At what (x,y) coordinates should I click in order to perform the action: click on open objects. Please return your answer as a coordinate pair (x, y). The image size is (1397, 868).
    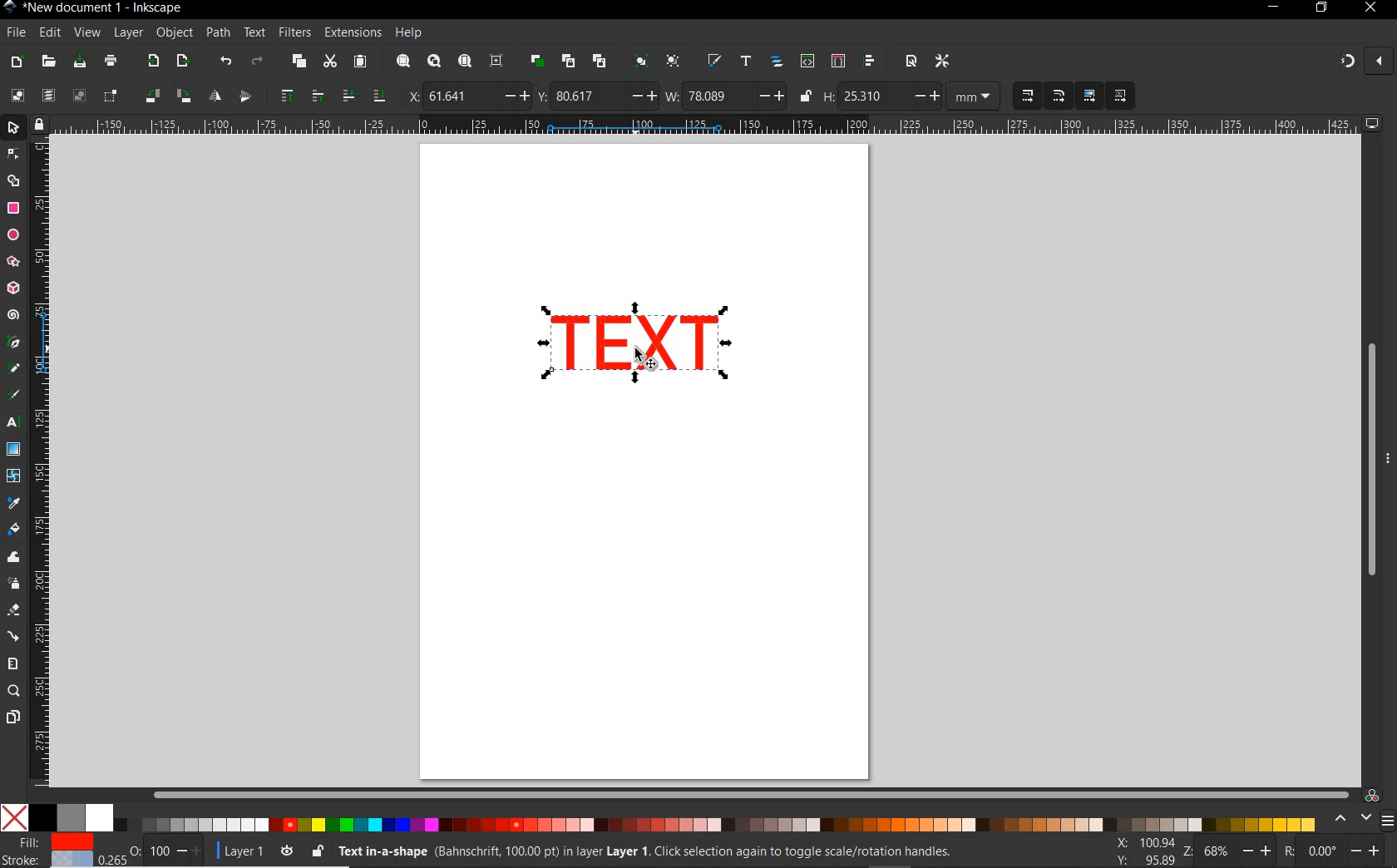
    Looking at the image, I should click on (777, 63).